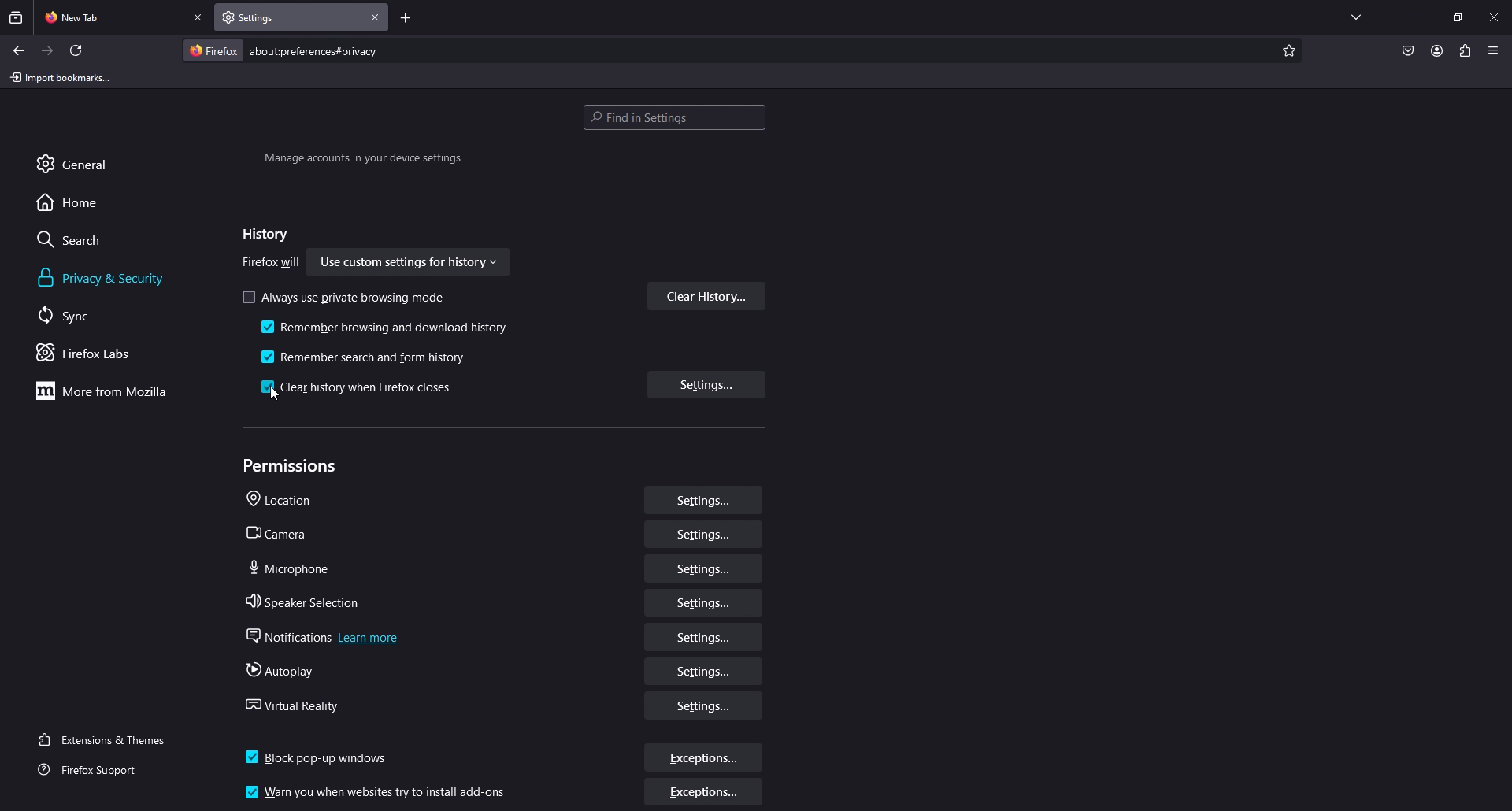 The width and height of the screenshot is (1512, 811). What do you see at coordinates (82, 315) in the screenshot?
I see `sync` at bounding box center [82, 315].